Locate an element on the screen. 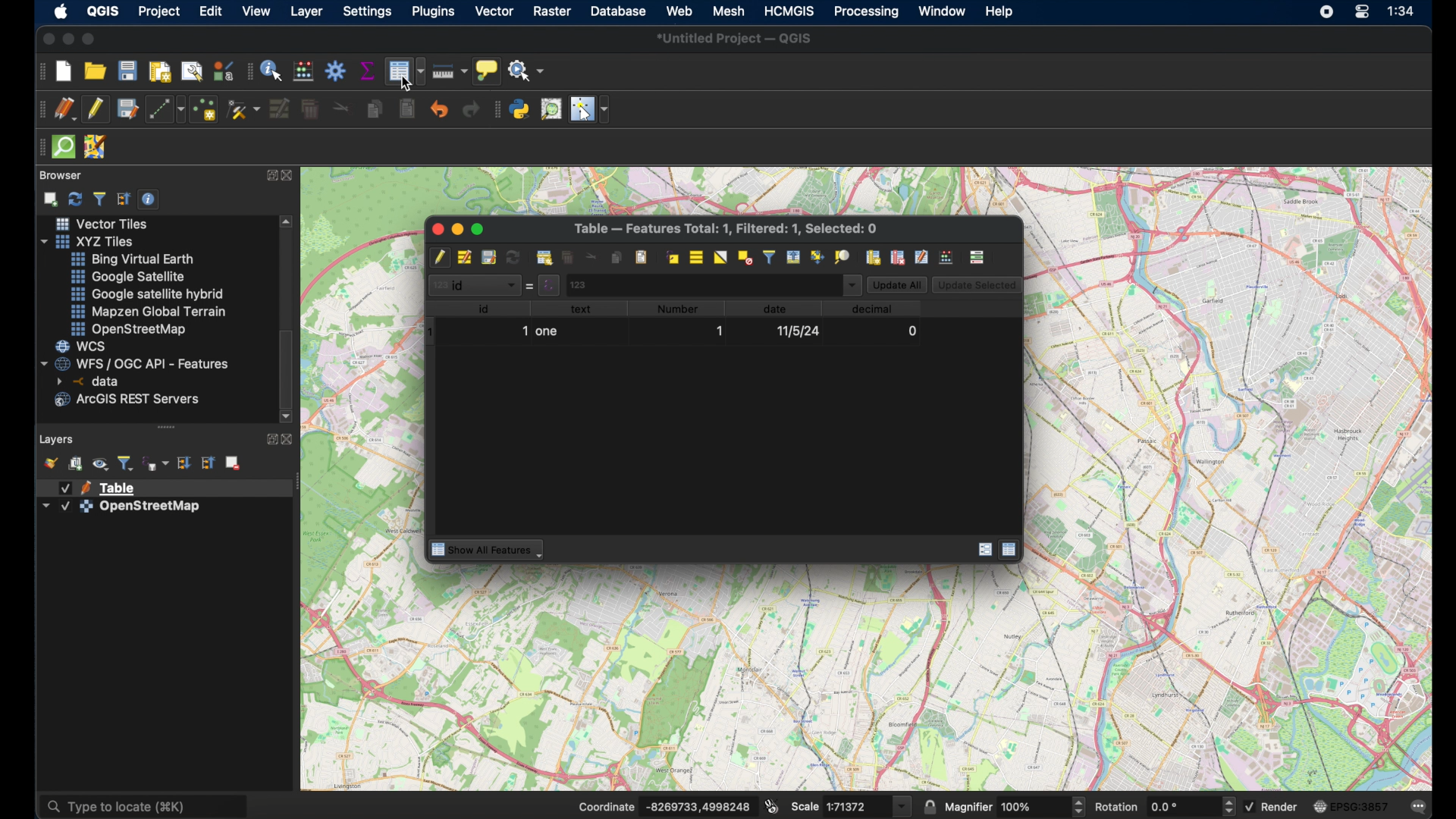 This screenshot has width=1456, height=819. add feature is located at coordinates (544, 256).